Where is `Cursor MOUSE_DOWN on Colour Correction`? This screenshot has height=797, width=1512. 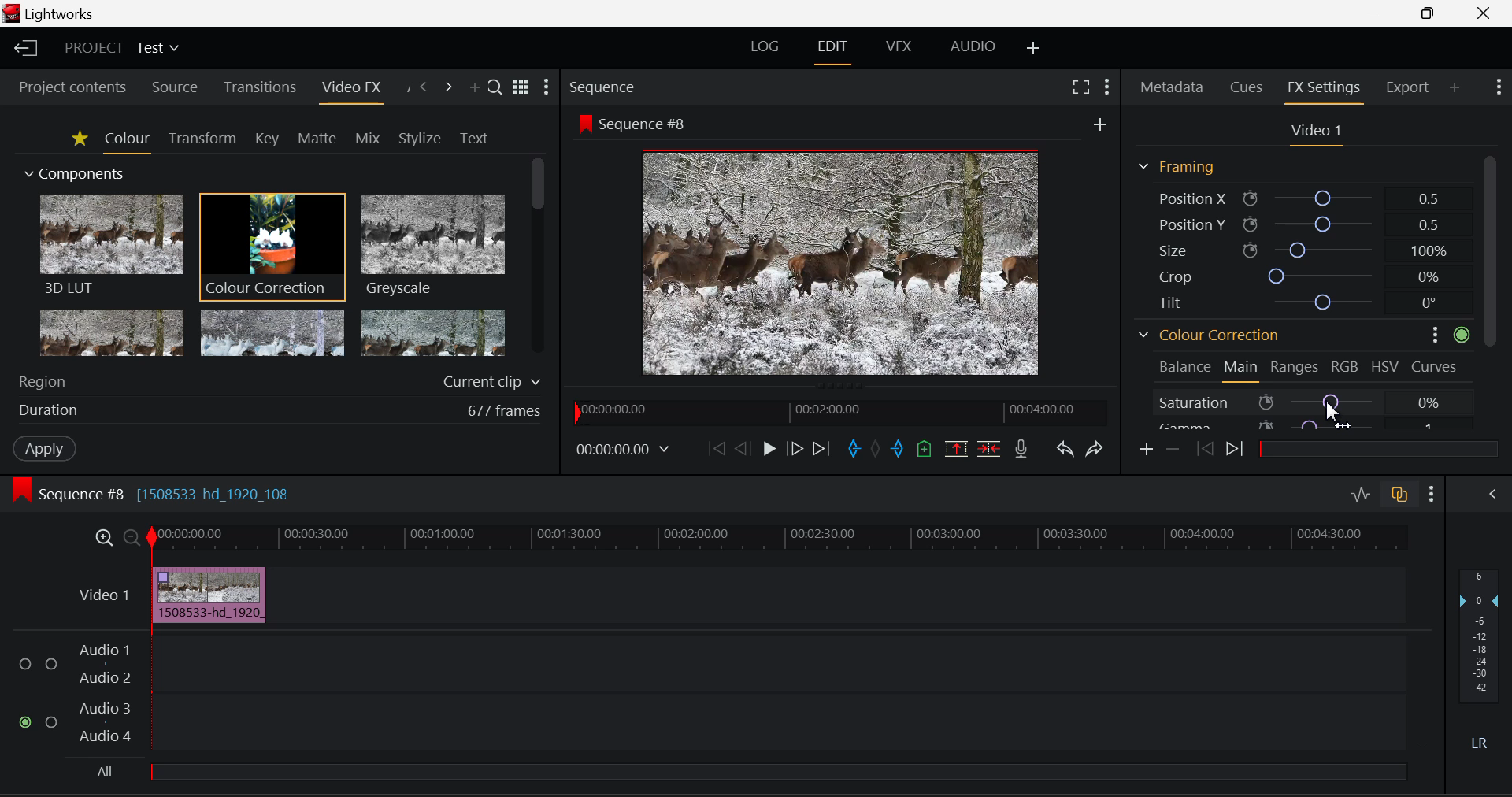
Cursor MOUSE_DOWN on Colour Correction is located at coordinates (272, 246).